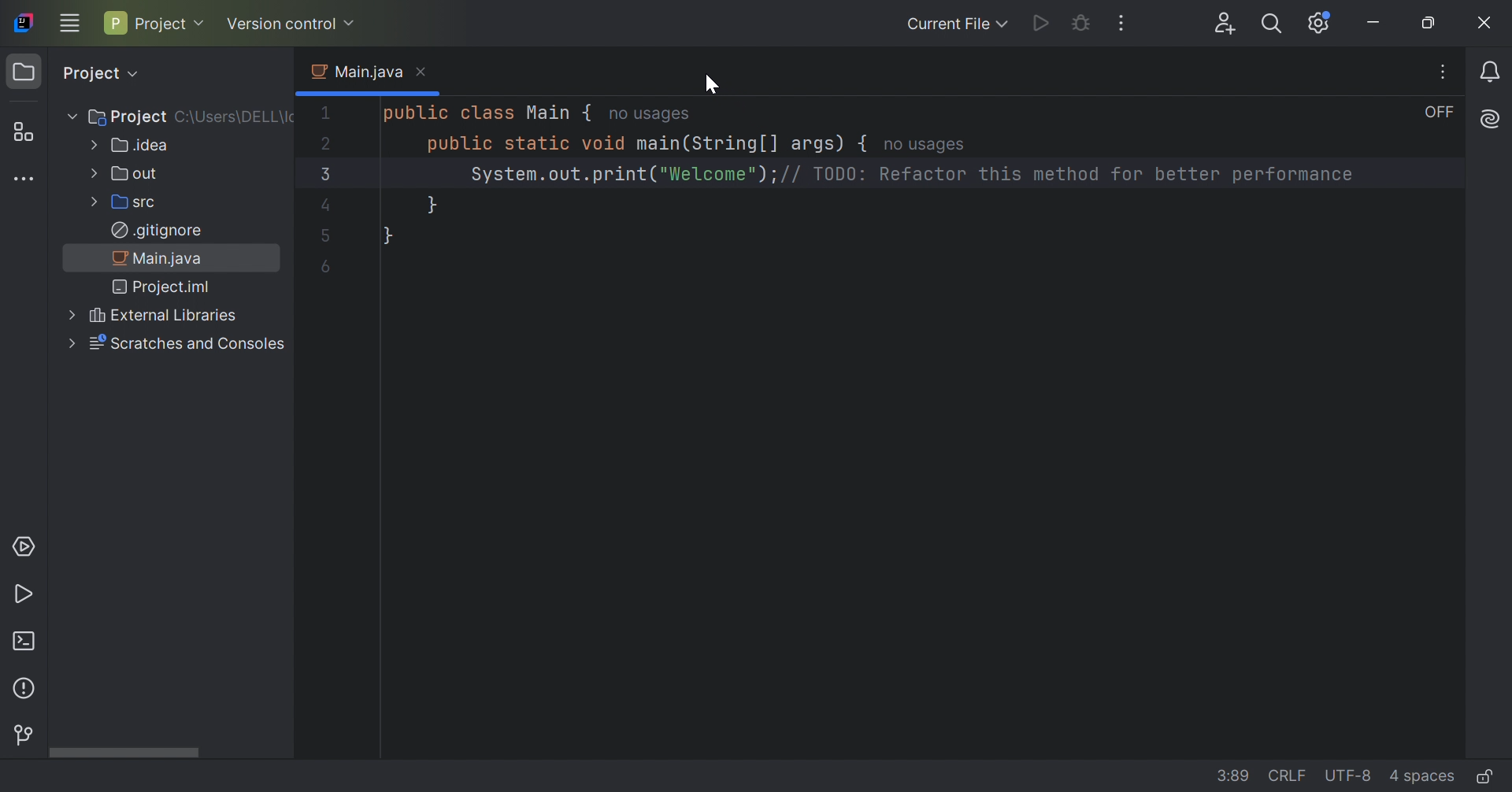  What do you see at coordinates (322, 174) in the screenshot?
I see `3` at bounding box center [322, 174].